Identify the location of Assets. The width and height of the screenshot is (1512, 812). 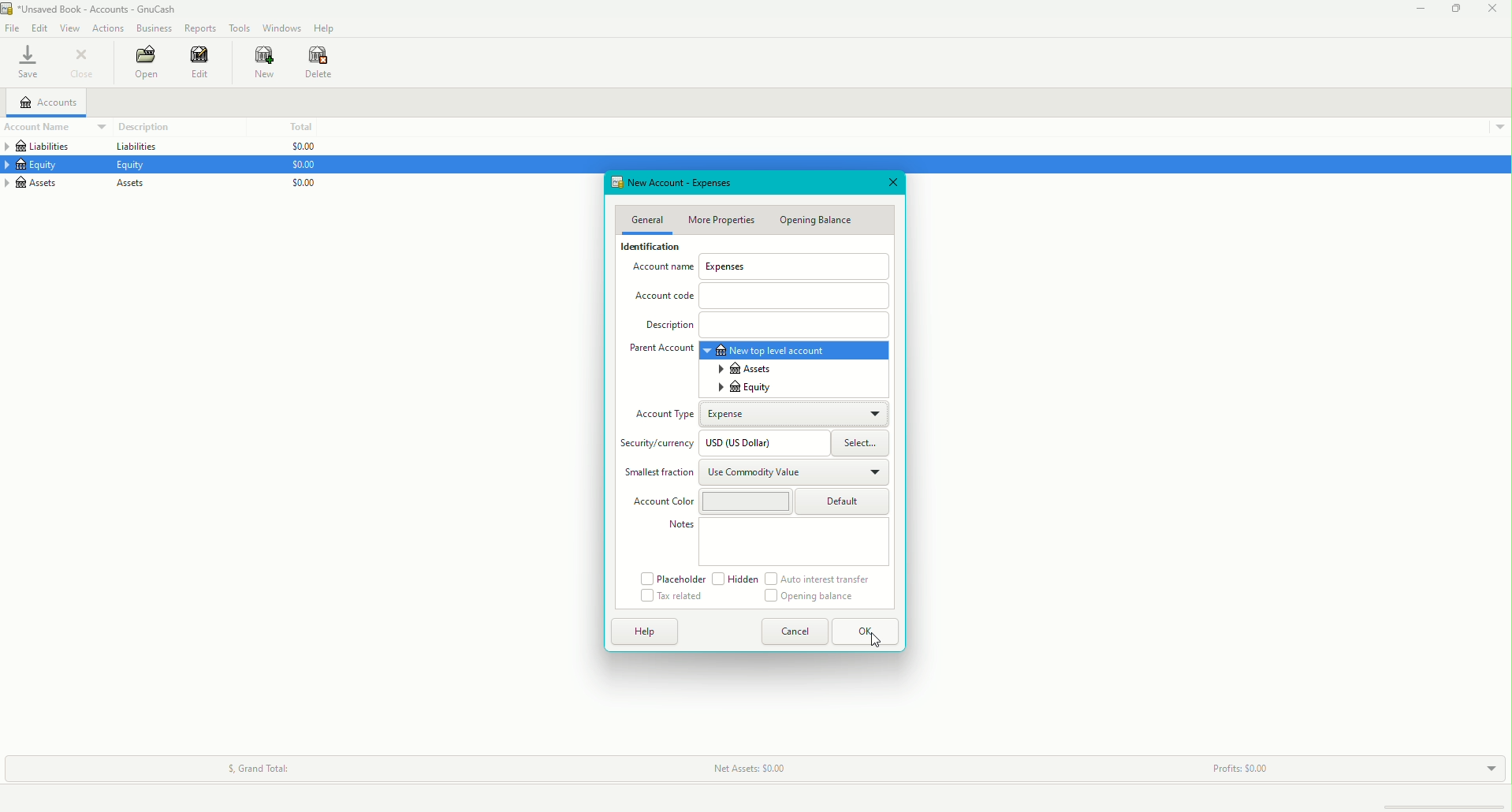
(46, 182).